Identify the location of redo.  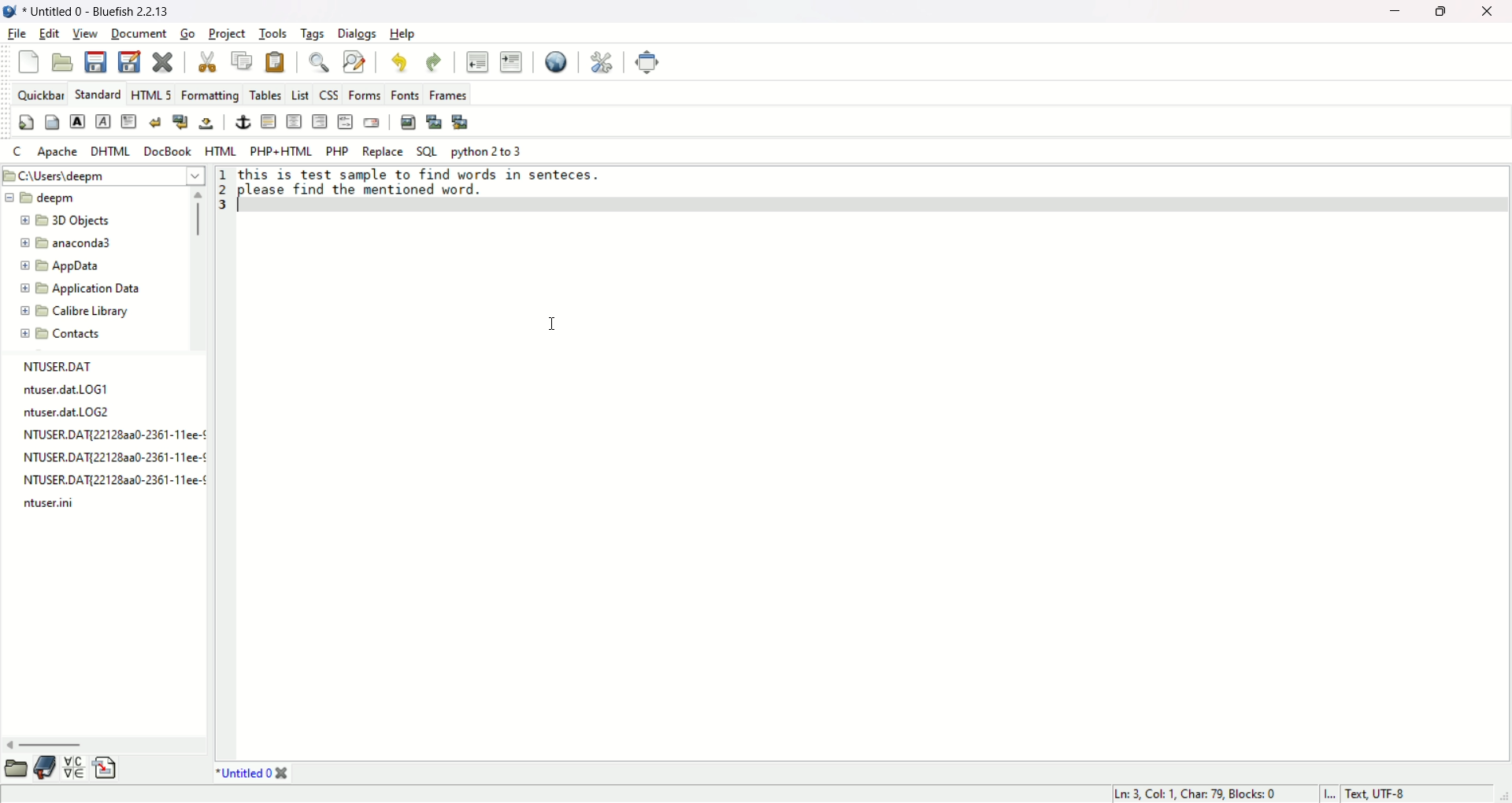
(432, 61).